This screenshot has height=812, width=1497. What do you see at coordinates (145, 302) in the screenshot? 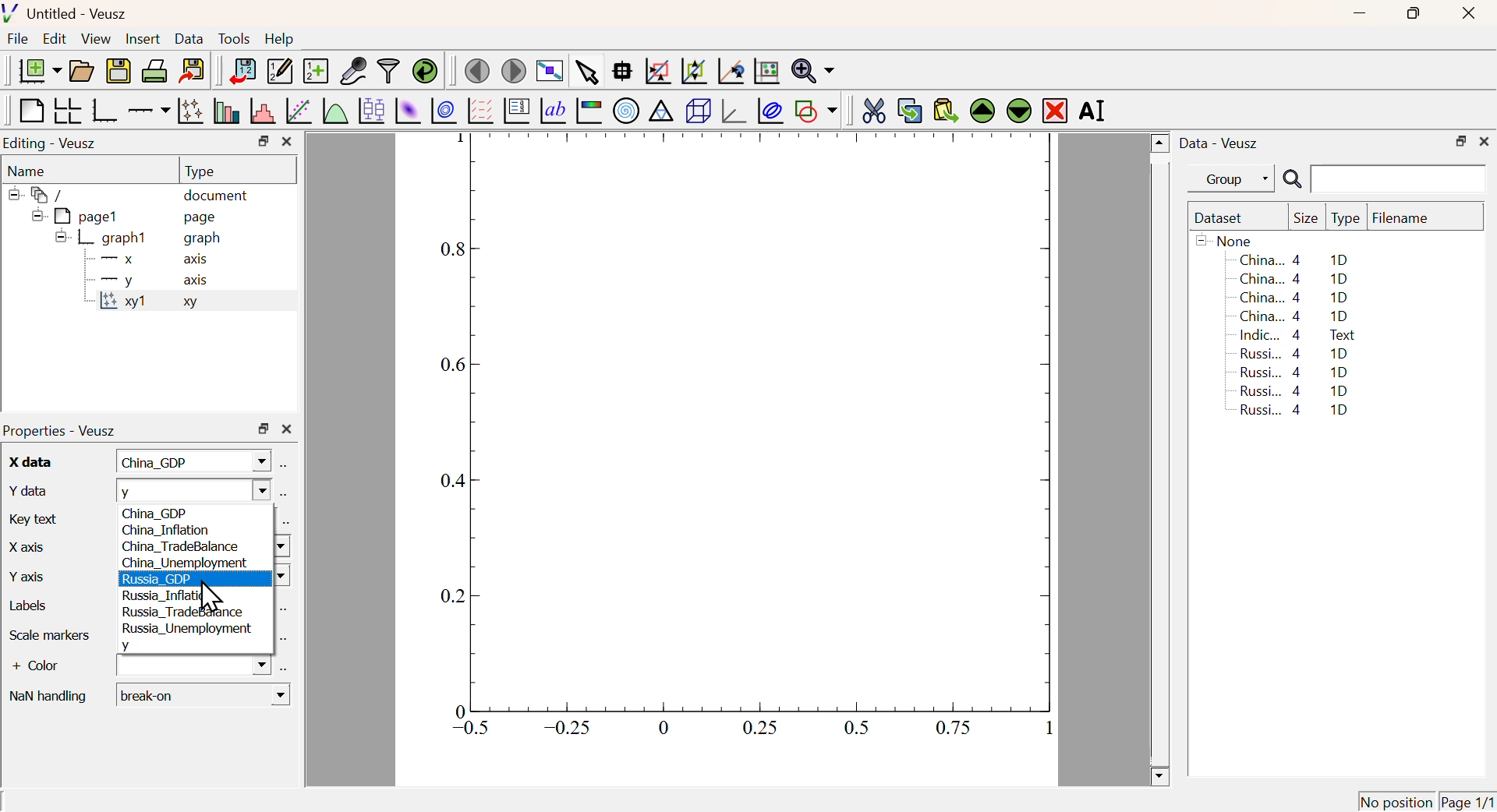
I see `xy1 xy` at bounding box center [145, 302].